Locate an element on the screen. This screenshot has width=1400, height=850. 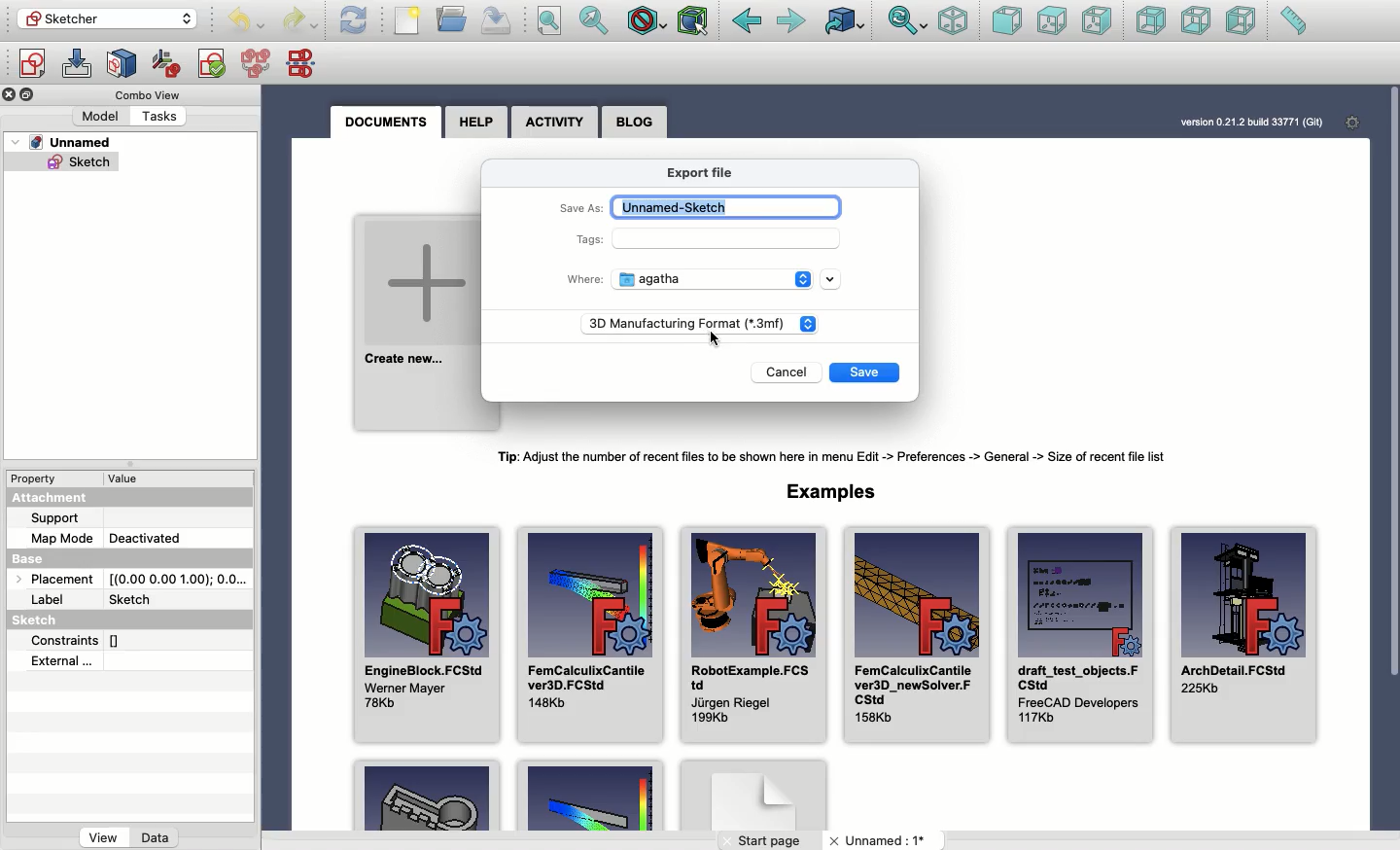
Sync view is located at coordinates (906, 21).